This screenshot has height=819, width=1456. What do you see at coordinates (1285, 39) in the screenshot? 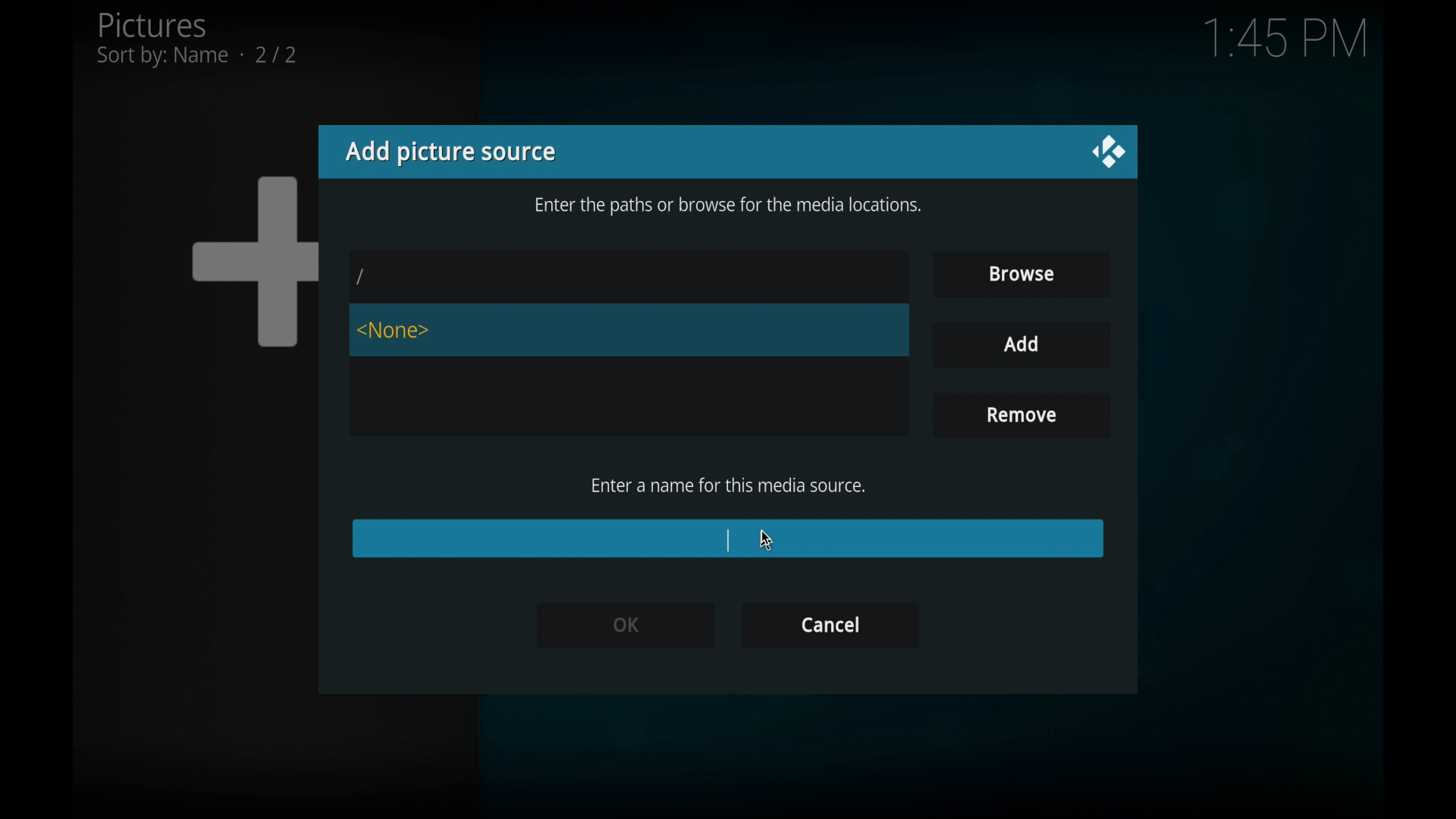
I see `time` at bounding box center [1285, 39].